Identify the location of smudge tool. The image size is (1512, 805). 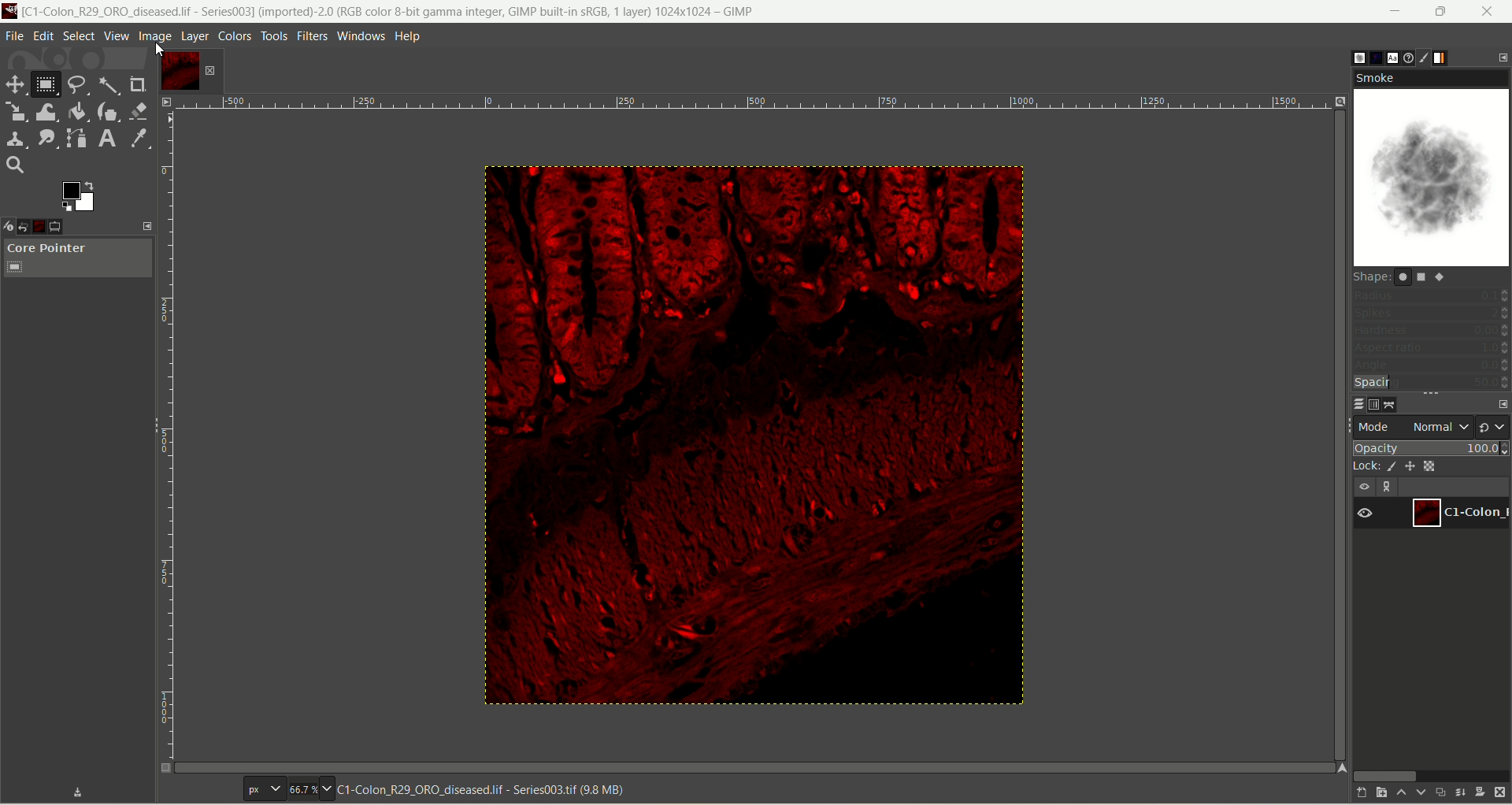
(48, 138).